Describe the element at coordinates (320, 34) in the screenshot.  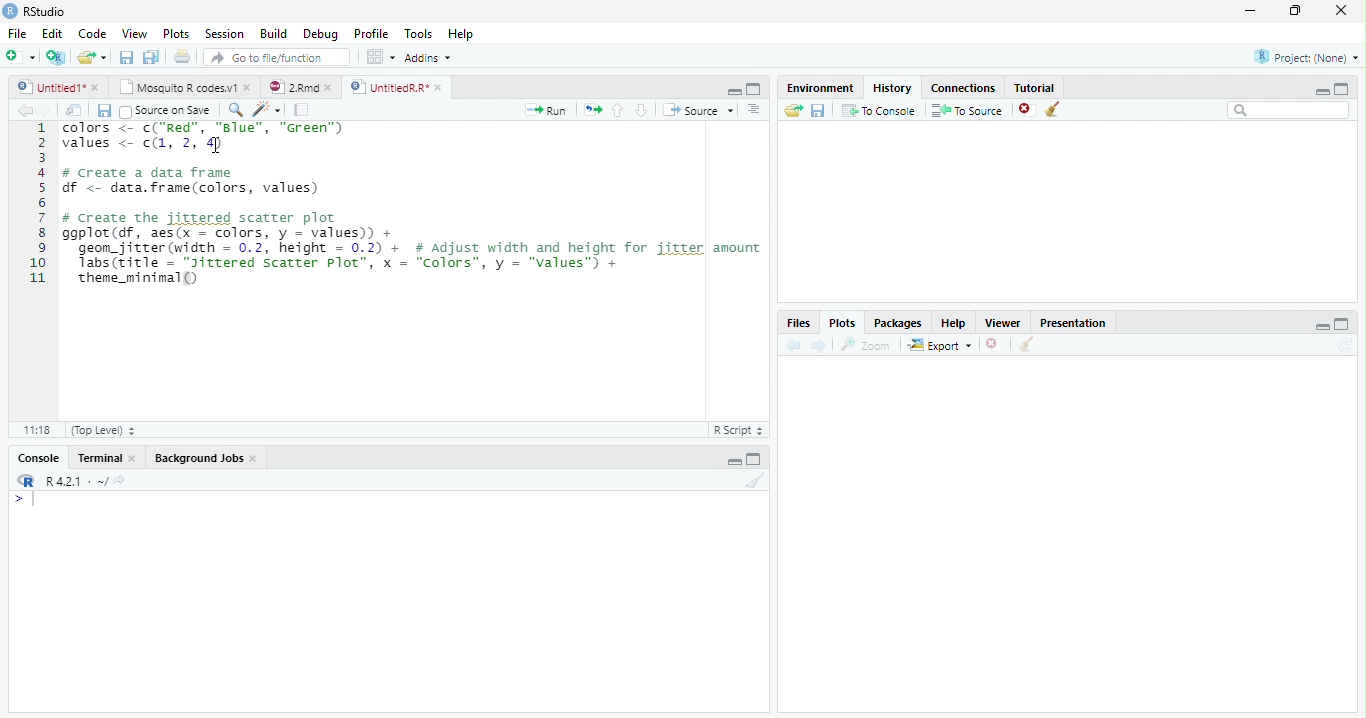
I see `Debug` at that location.